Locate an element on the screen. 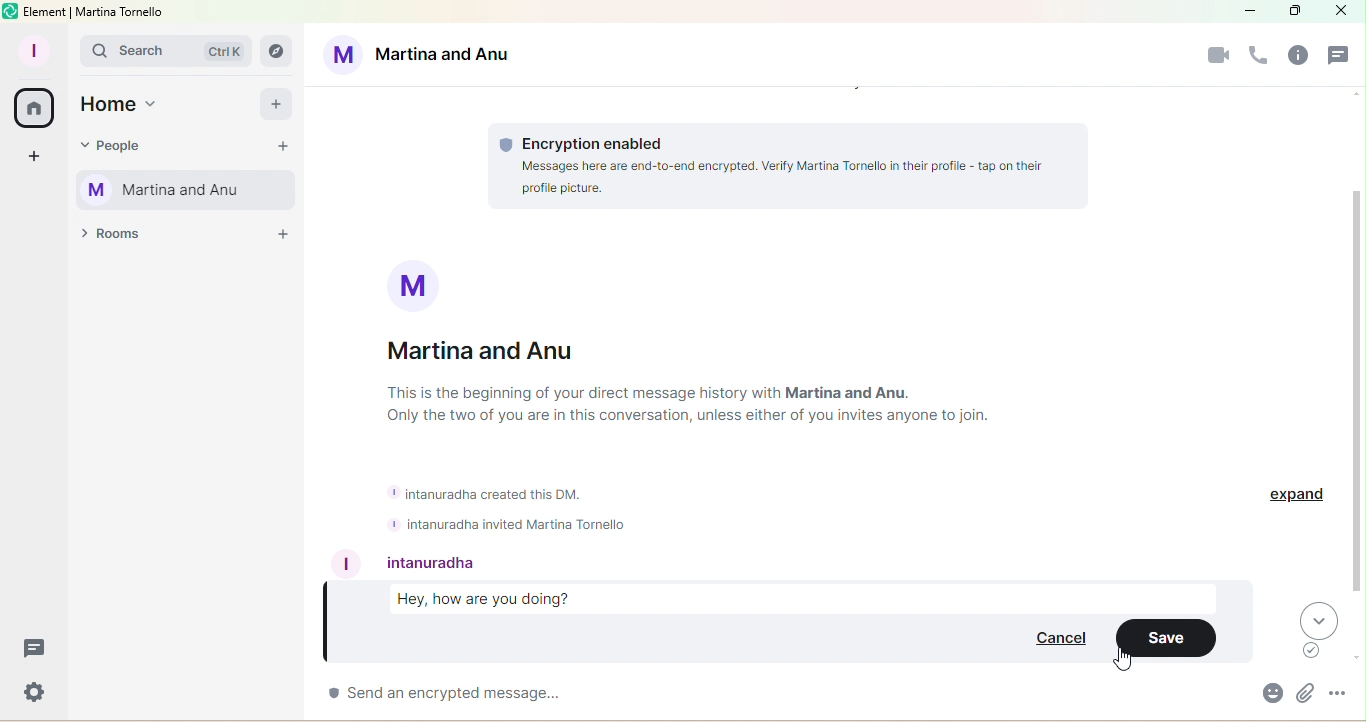  People is located at coordinates (119, 142).